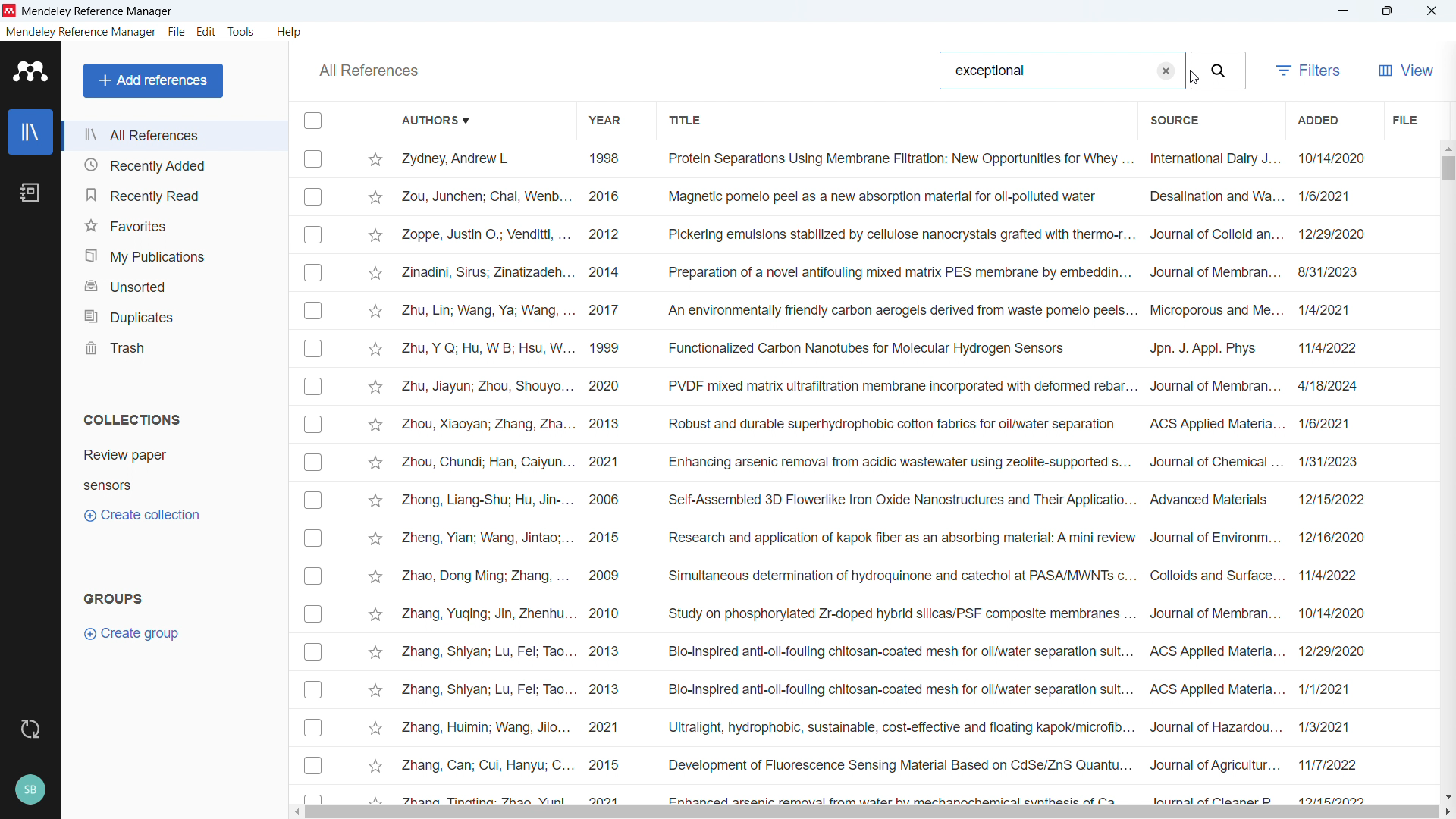 The width and height of the screenshot is (1456, 819). What do you see at coordinates (125, 454) in the screenshot?
I see `Collection 1 ` at bounding box center [125, 454].